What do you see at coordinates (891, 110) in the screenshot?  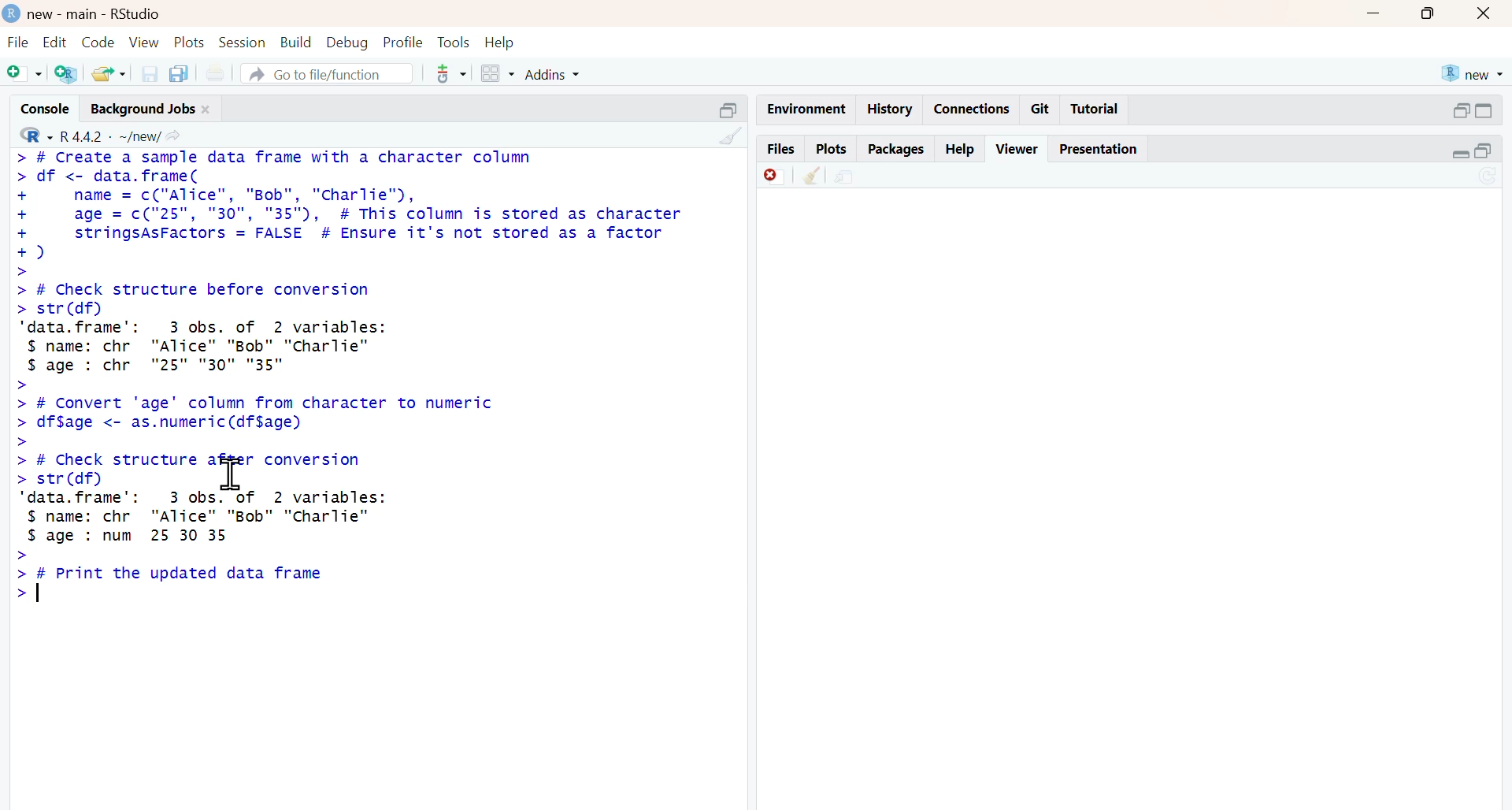 I see `history` at bounding box center [891, 110].